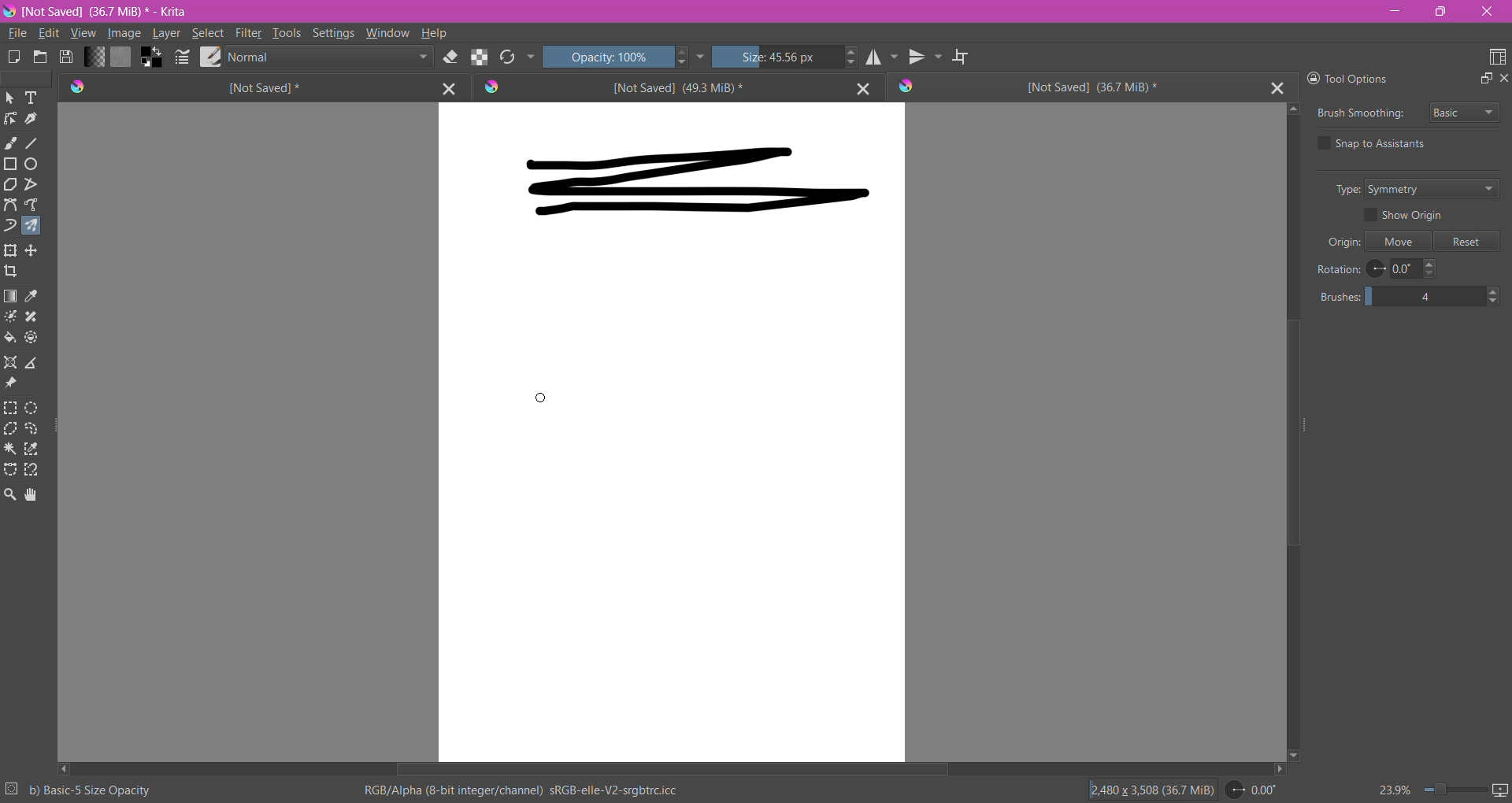 This screenshot has height=803, width=1512. Describe the element at coordinates (859, 87) in the screenshot. I see `Close Tab` at that location.